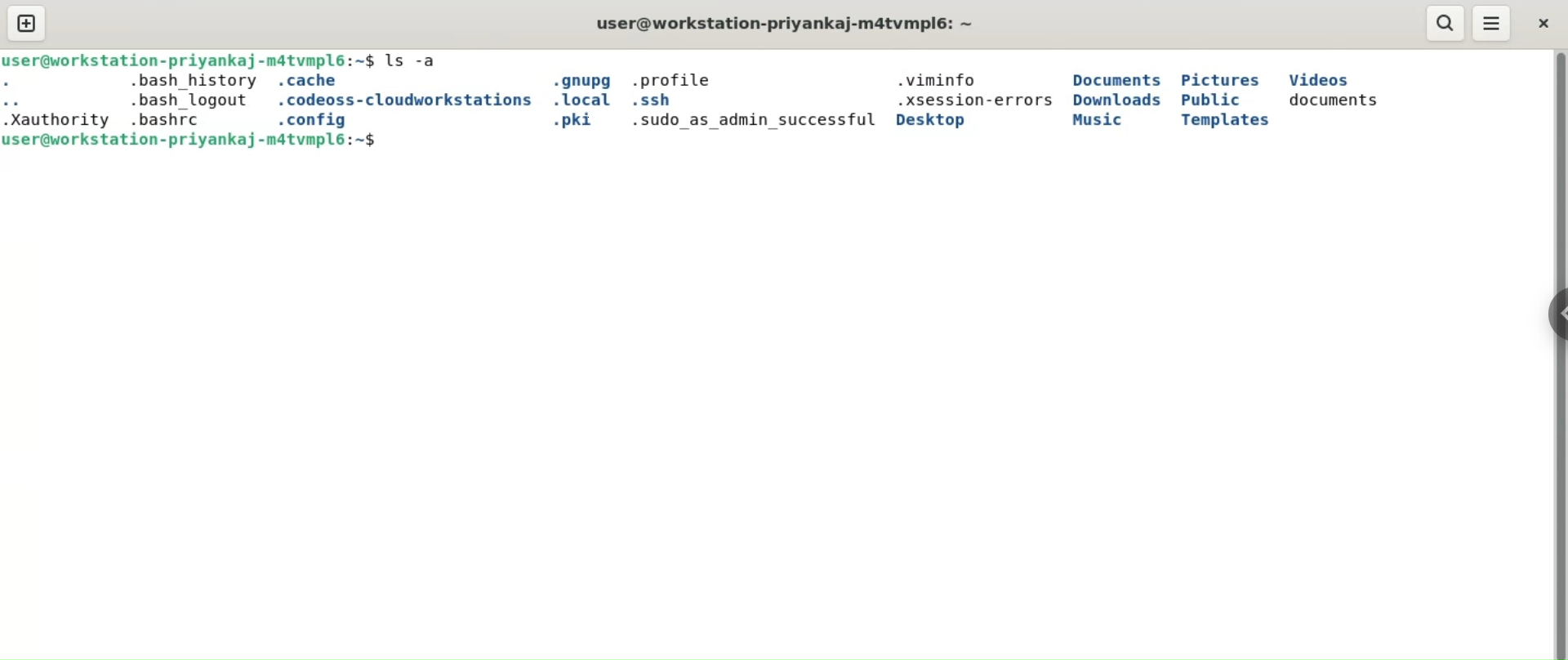 The width and height of the screenshot is (1568, 660). Describe the element at coordinates (1493, 24) in the screenshot. I see `menu` at that location.